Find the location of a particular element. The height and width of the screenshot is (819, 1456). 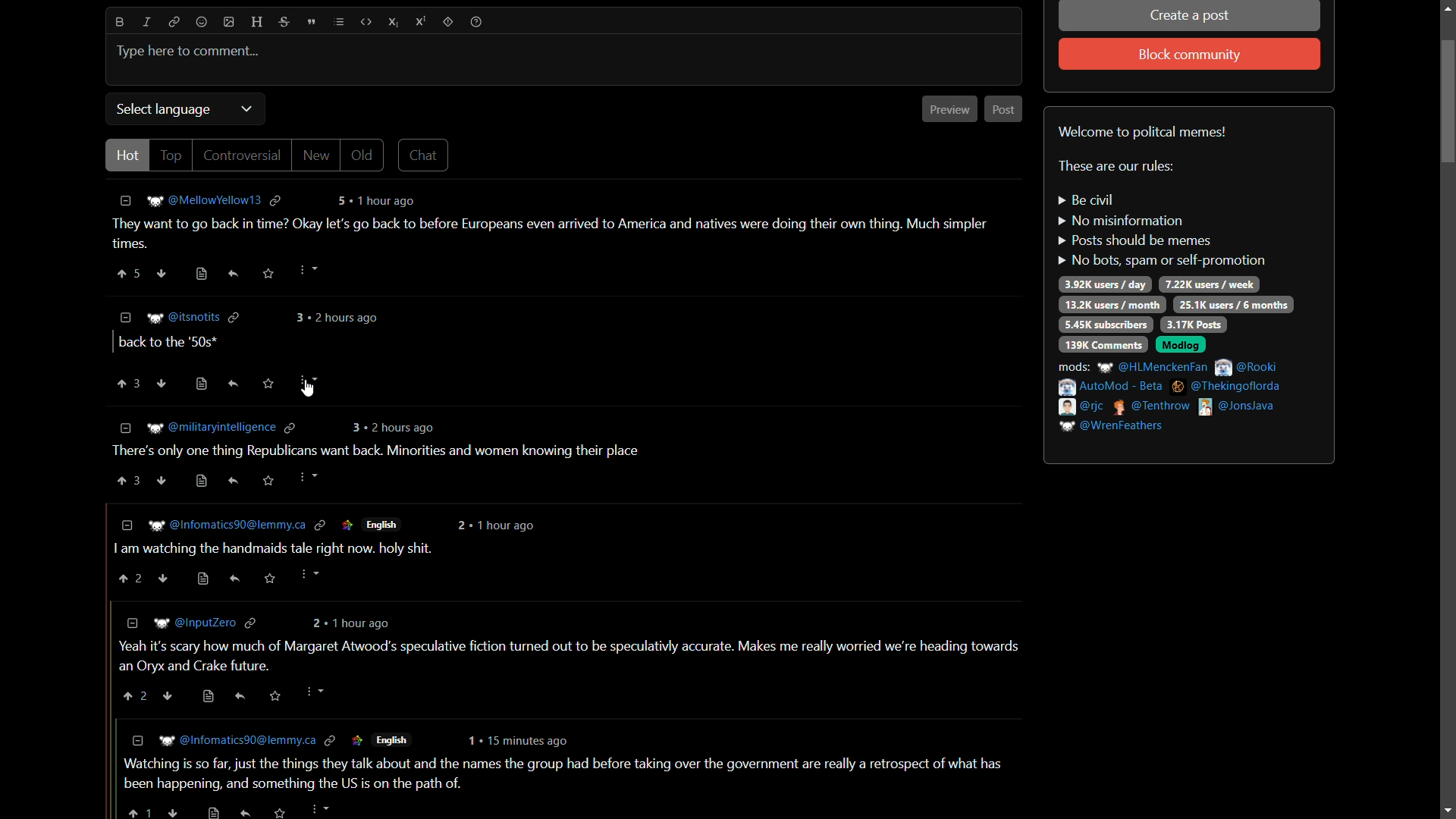

post is located at coordinates (1005, 110).